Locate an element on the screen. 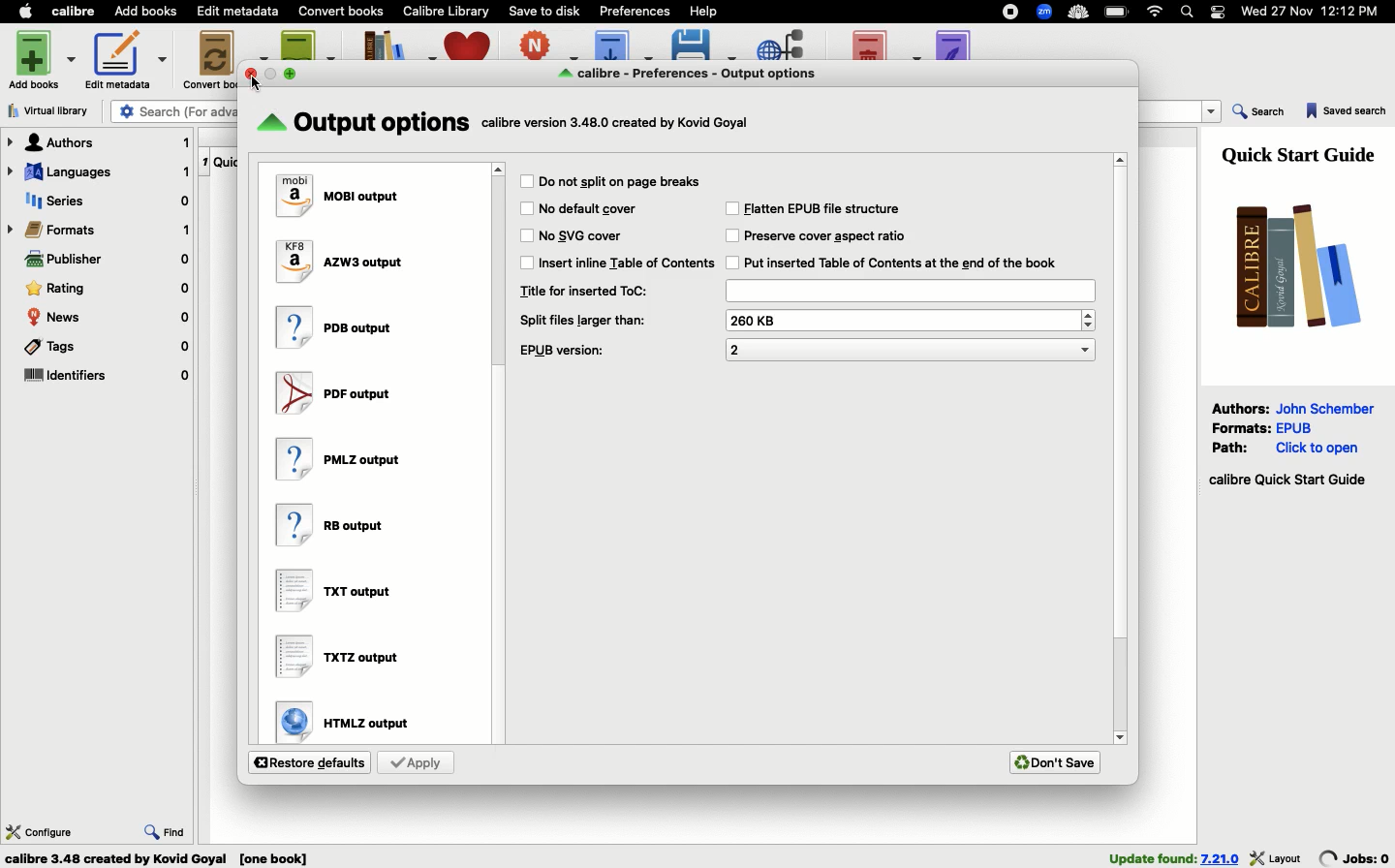  1 is located at coordinates (204, 159).